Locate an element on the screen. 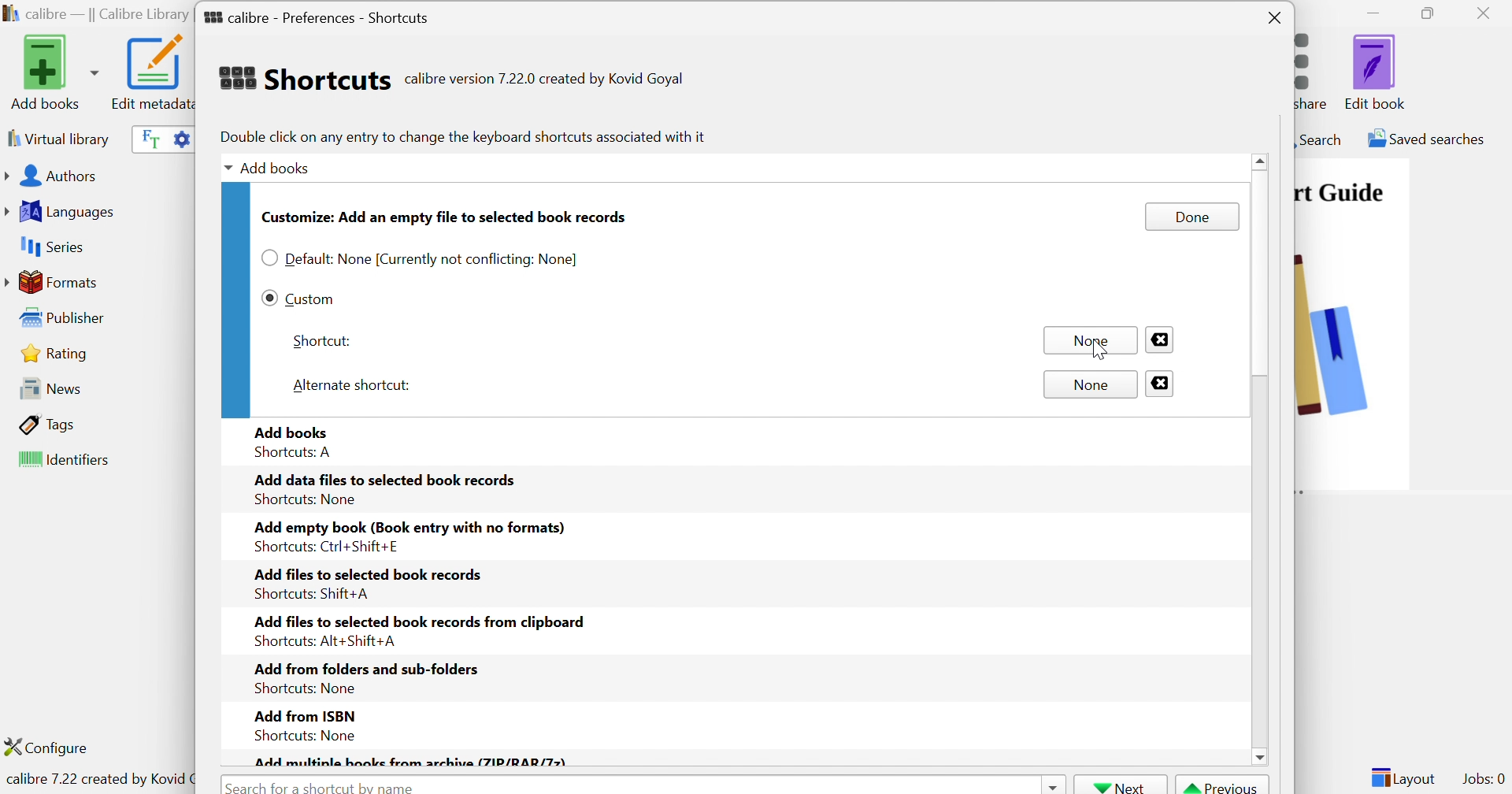 The width and height of the screenshot is (1512, 794). Add books is located at coordinates (52, 72).